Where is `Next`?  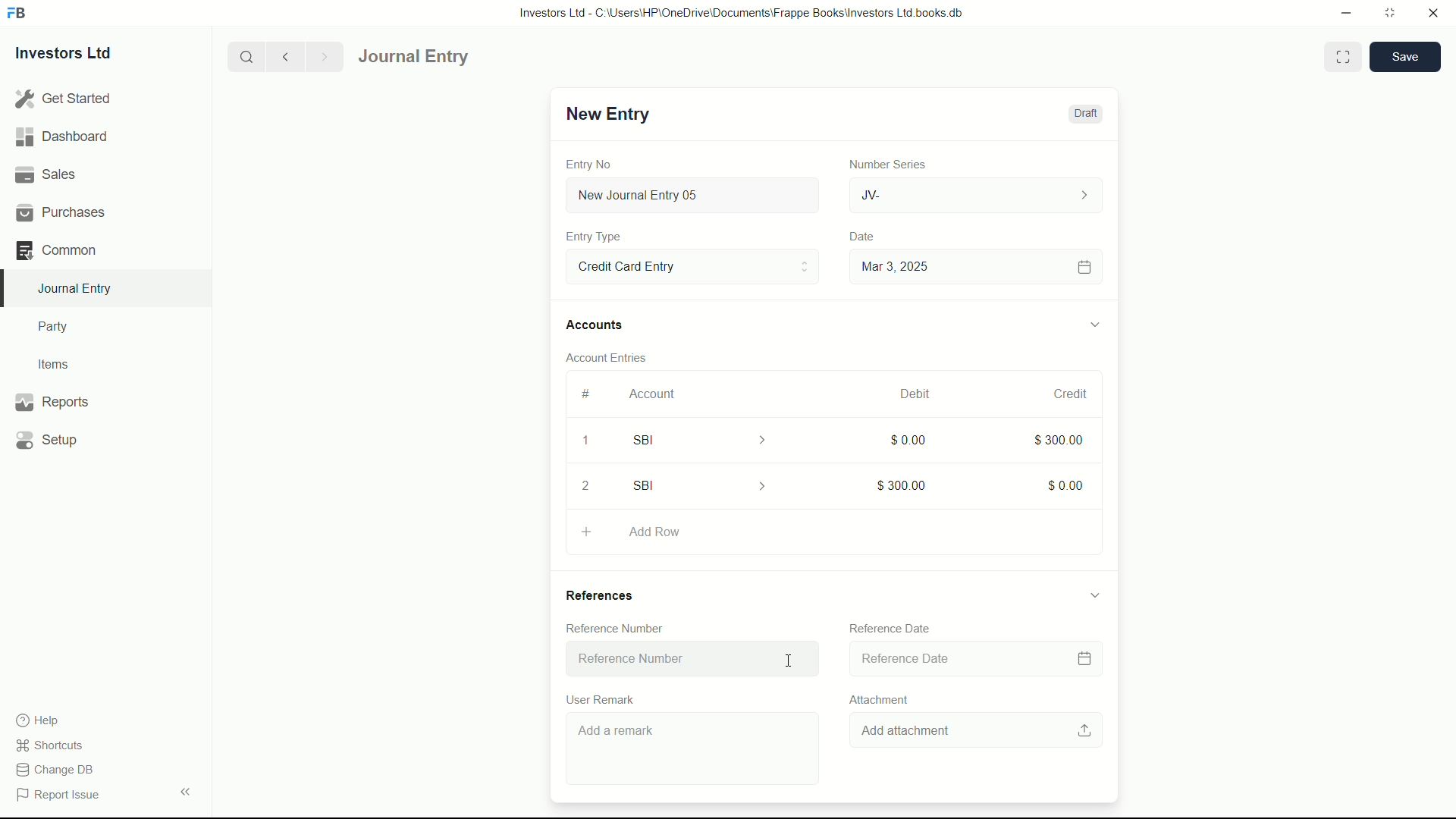
Next is located at coordinates (322, 56).